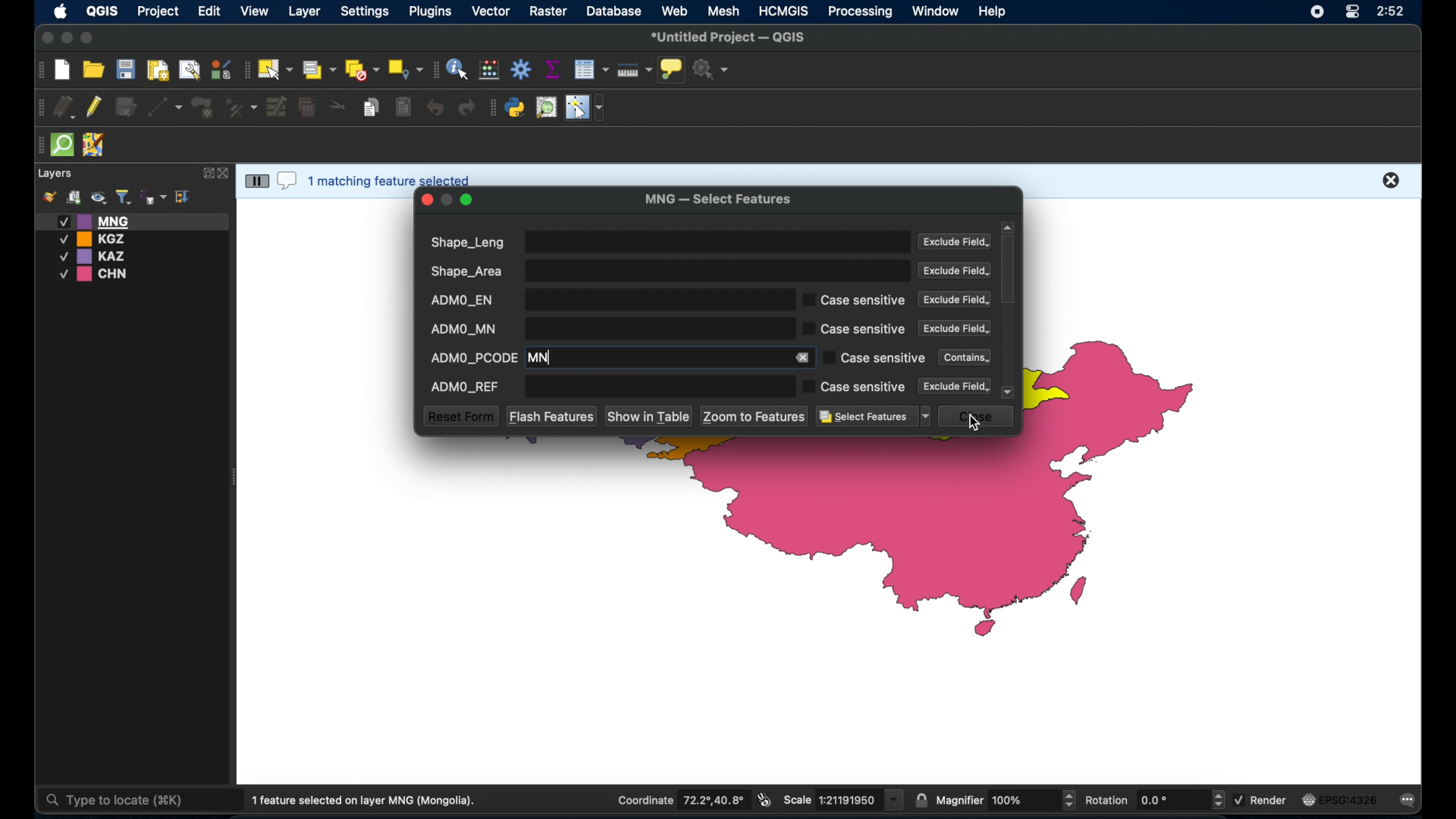 The height and width of the screenshot is (819, 1456). I want to click on plugins, so click(431, 11).